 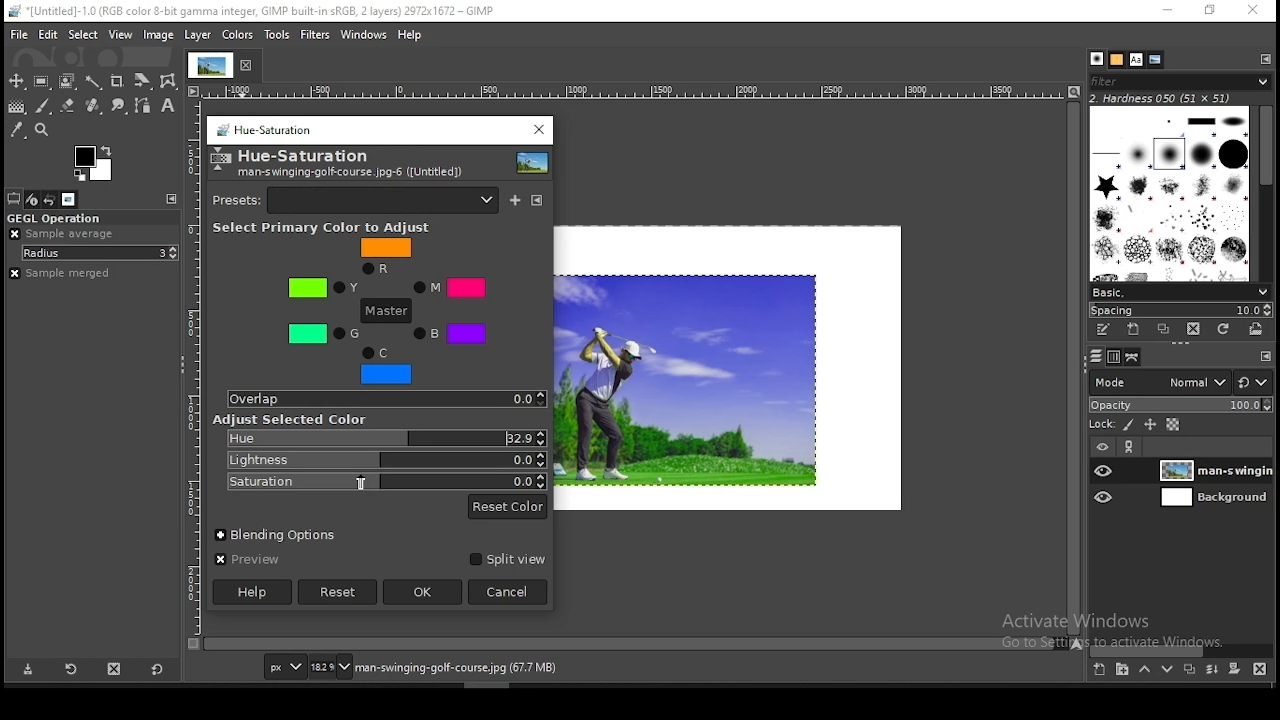 What do you see at coordinates (1264, 60) in the screenshot?
I see `configure this tab` at bounding box center [1264, 60].